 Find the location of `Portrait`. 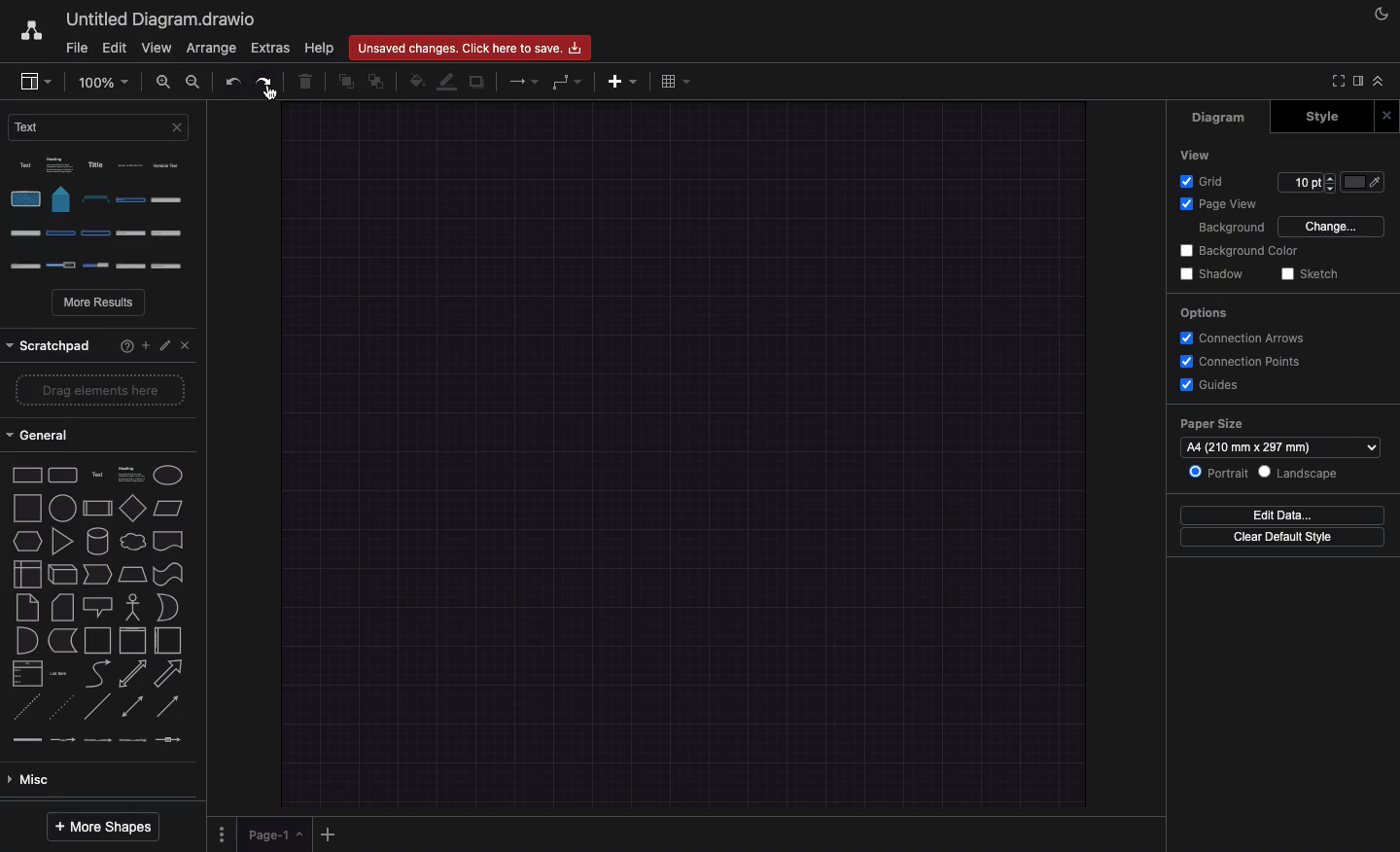

Portrait is located at coordinates (1217, 471).